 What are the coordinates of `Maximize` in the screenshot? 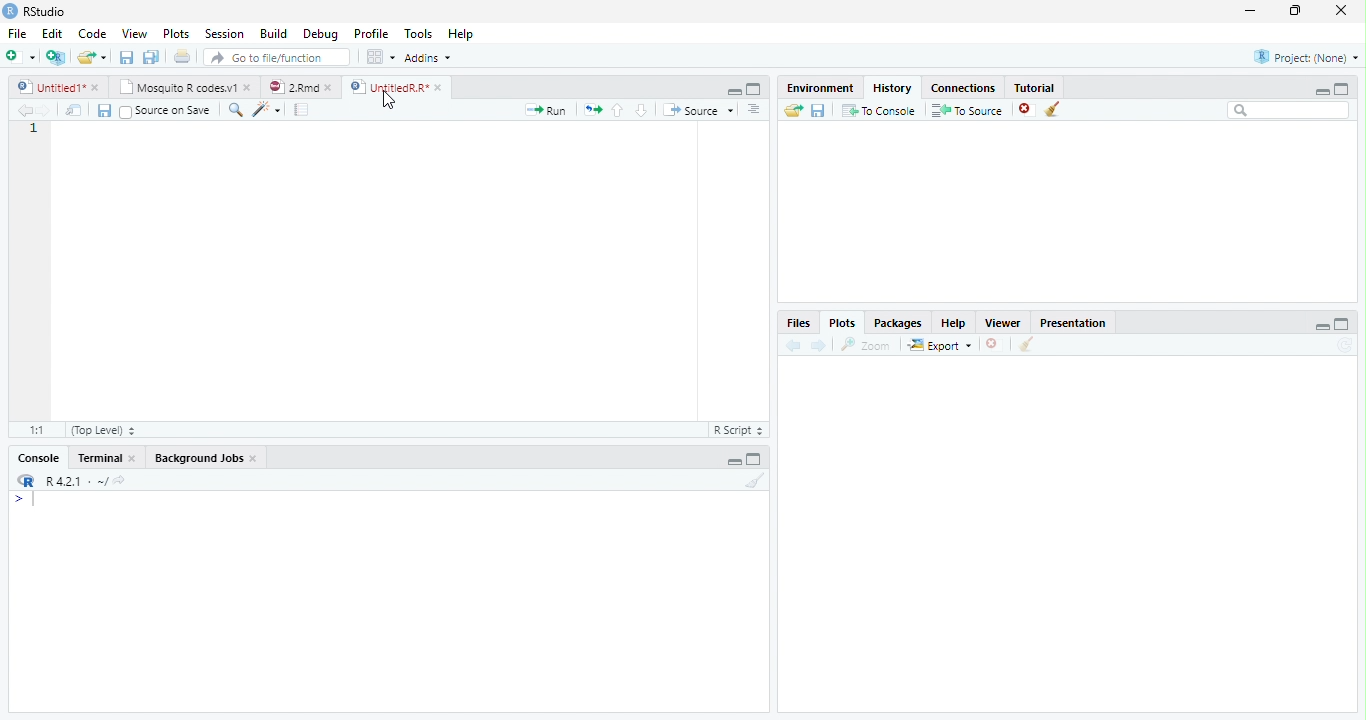 It's located at (1342, 90).